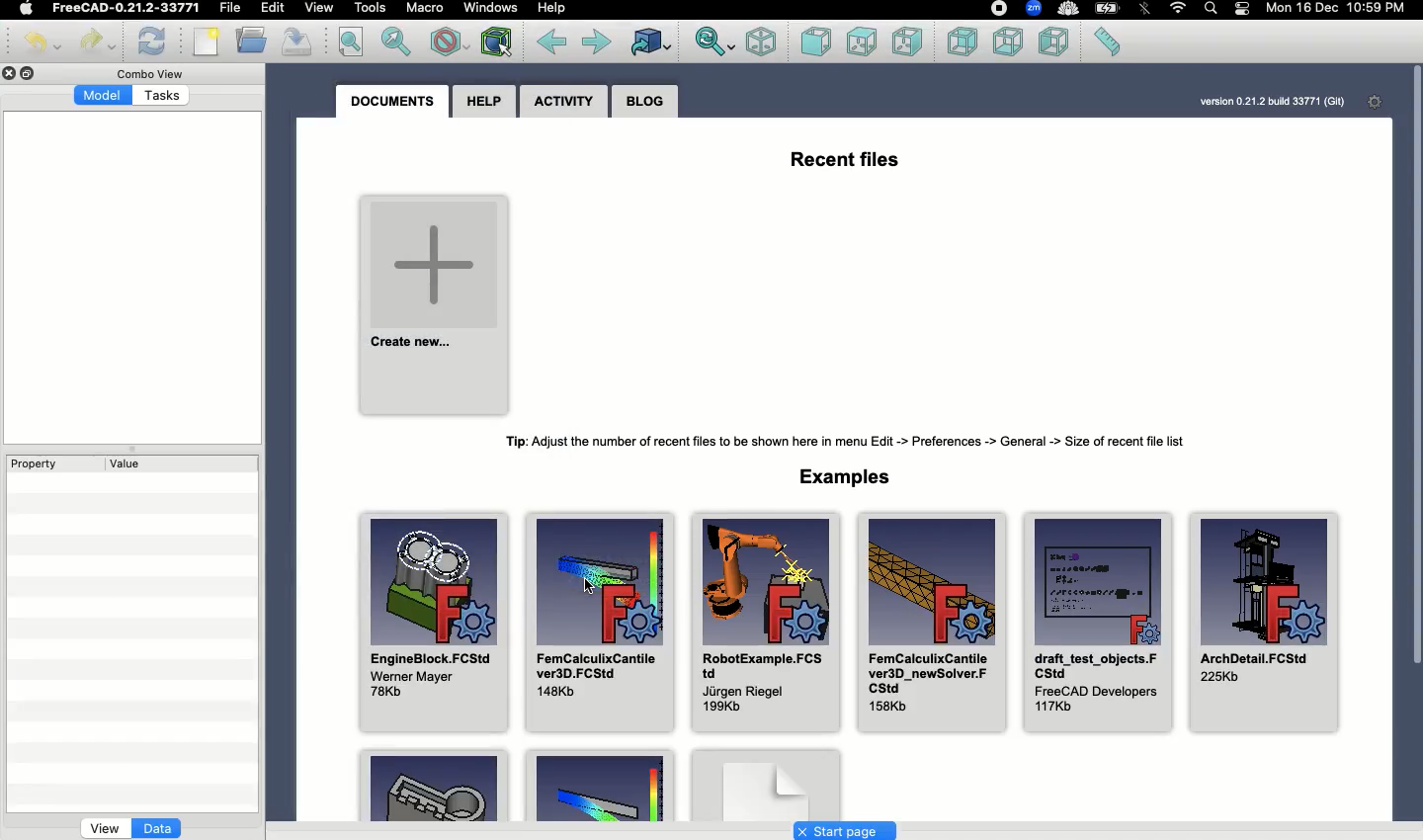 The width and height of the screenshot is (1423, 840). I want to click on Value, so click(136, 464).